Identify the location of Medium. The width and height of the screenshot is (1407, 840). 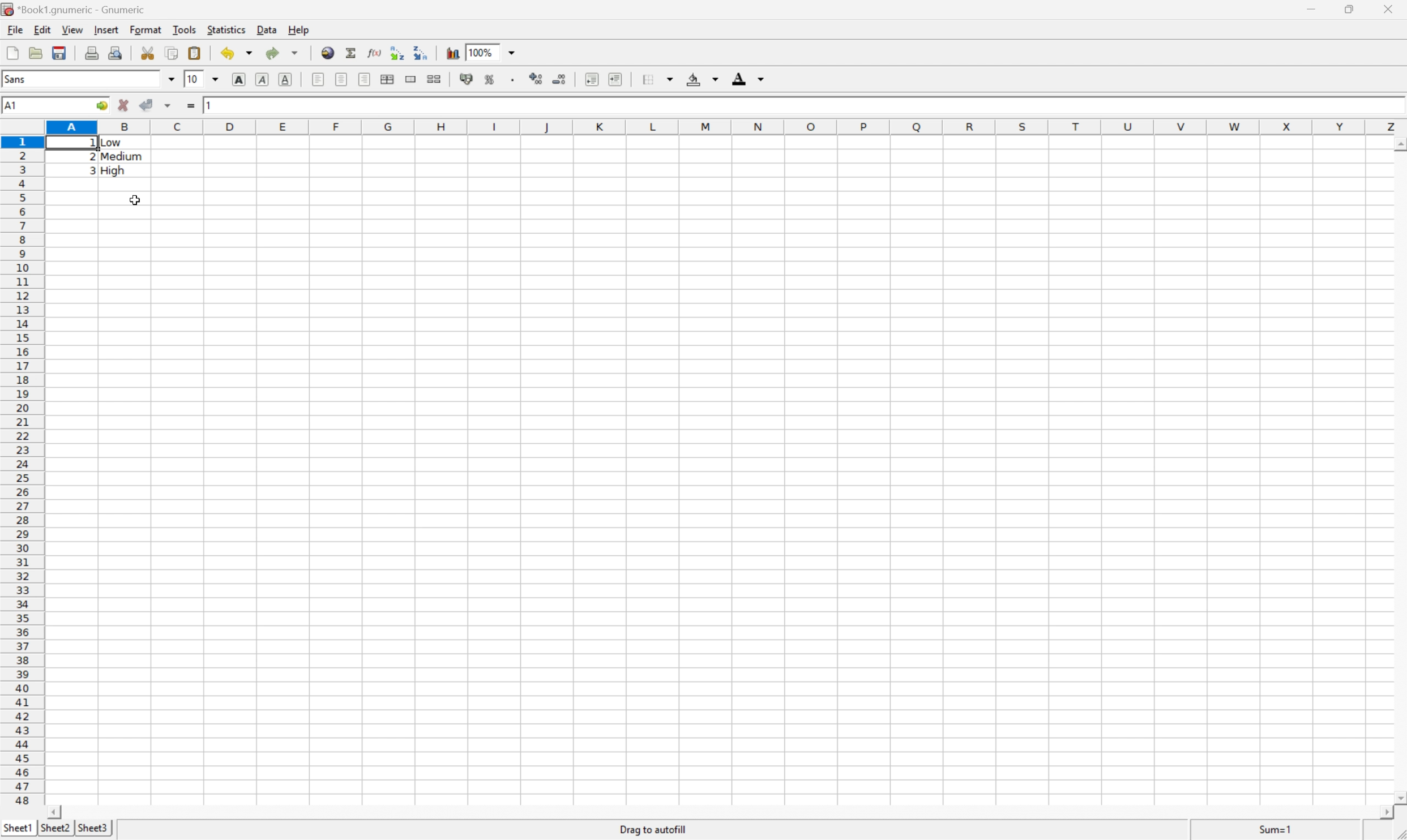
(122, 157).